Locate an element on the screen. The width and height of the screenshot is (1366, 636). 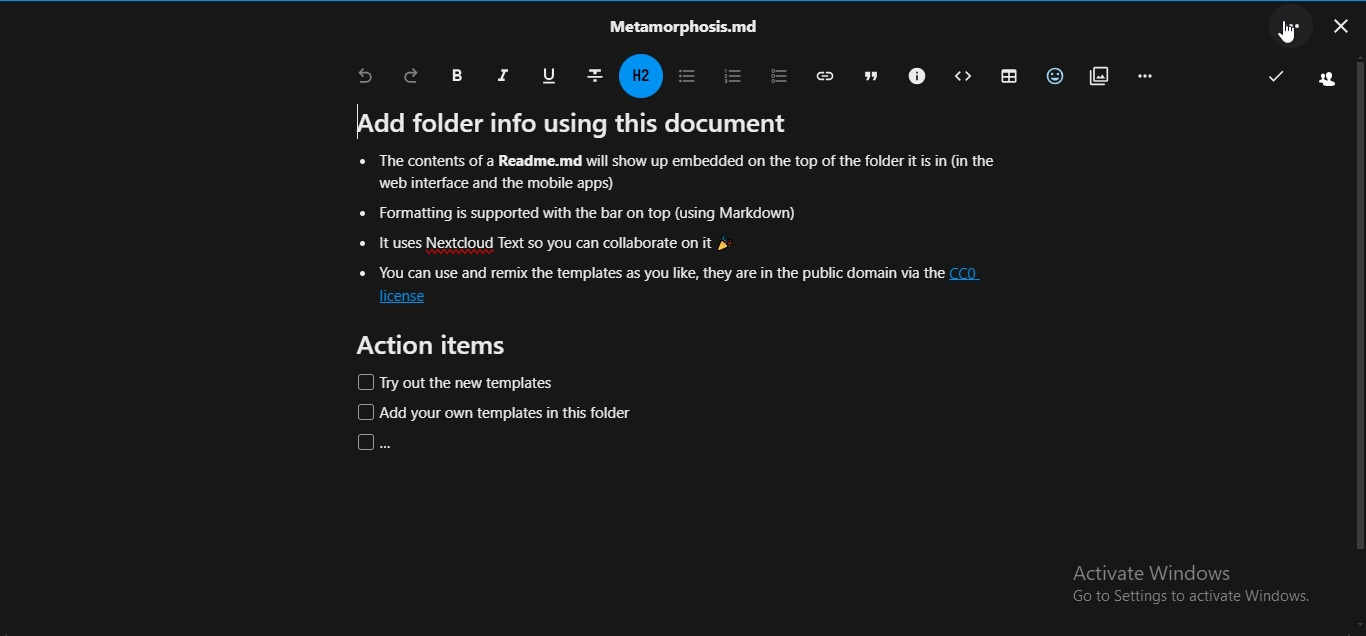
Scrollbar is located at coordinates (1357, 333).